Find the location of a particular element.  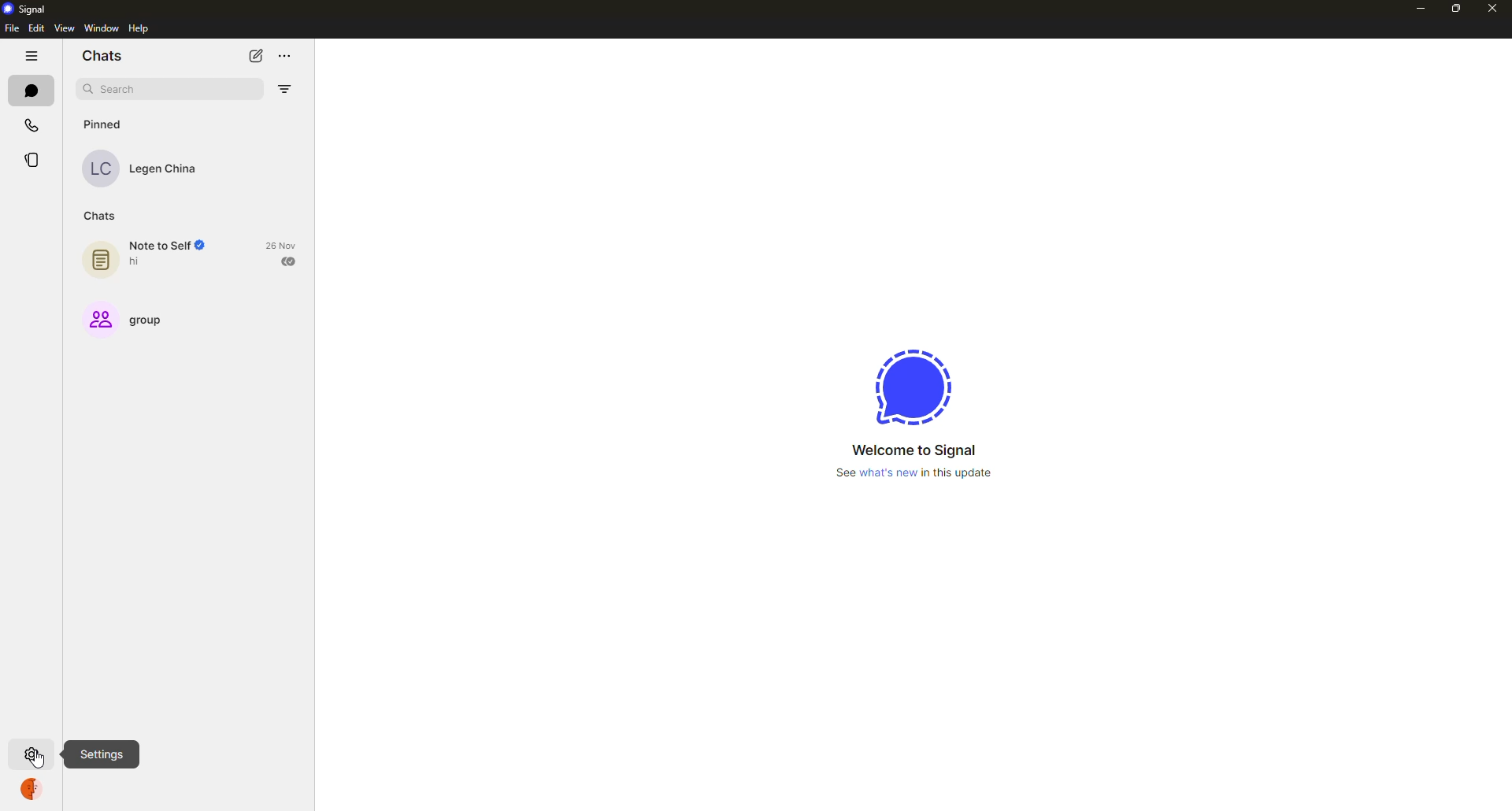

chats is located at coordinates (30, 90).